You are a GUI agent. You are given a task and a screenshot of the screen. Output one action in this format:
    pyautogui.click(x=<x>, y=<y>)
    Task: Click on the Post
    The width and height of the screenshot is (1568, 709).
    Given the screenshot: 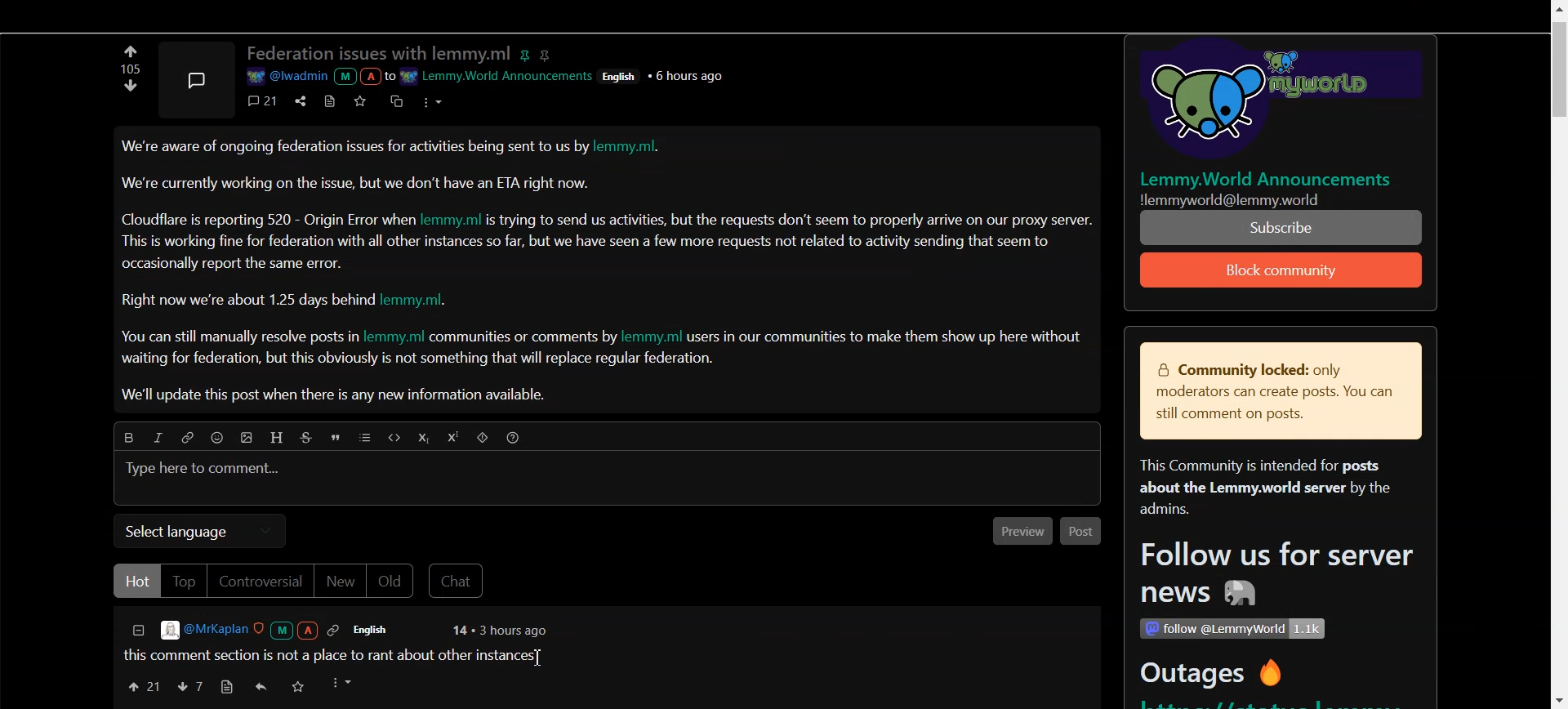 What is the action you would take?
    pyautogui.click(x=1081, y=532)
    